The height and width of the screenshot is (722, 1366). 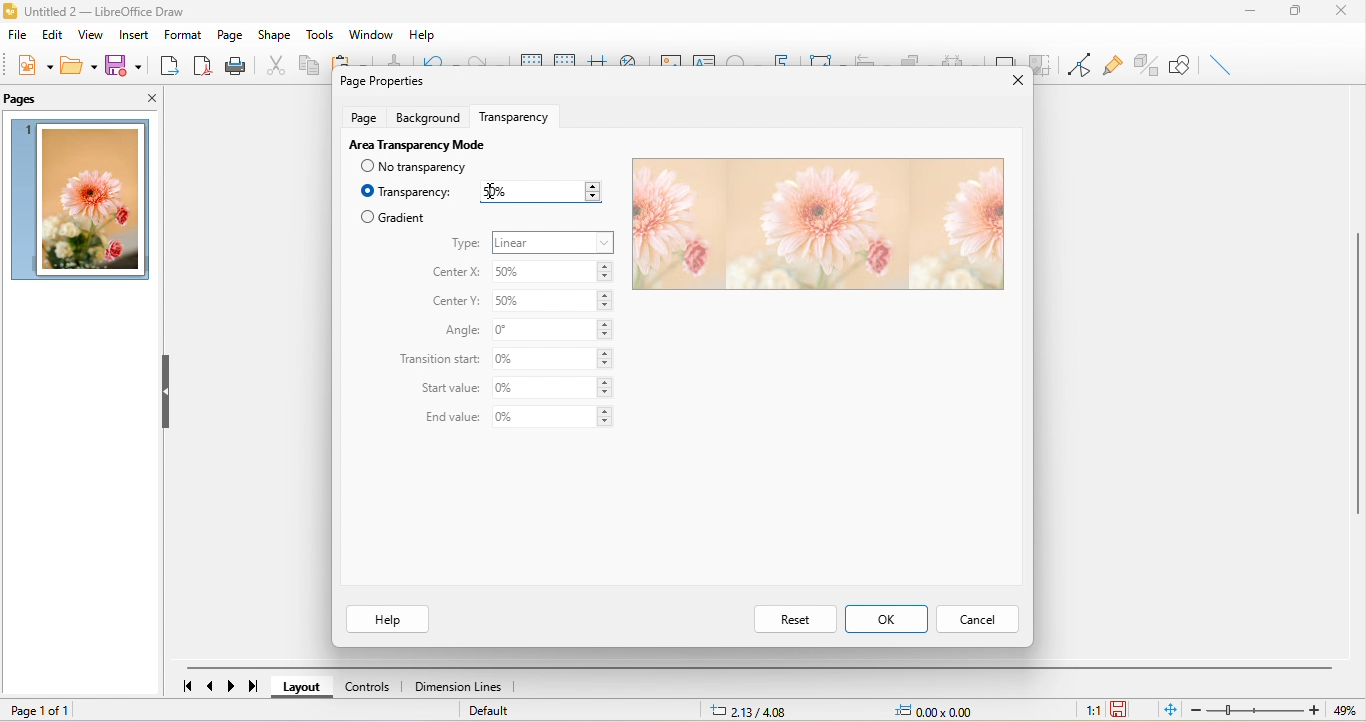 I want to click on center x, so click(x=454, y=273).